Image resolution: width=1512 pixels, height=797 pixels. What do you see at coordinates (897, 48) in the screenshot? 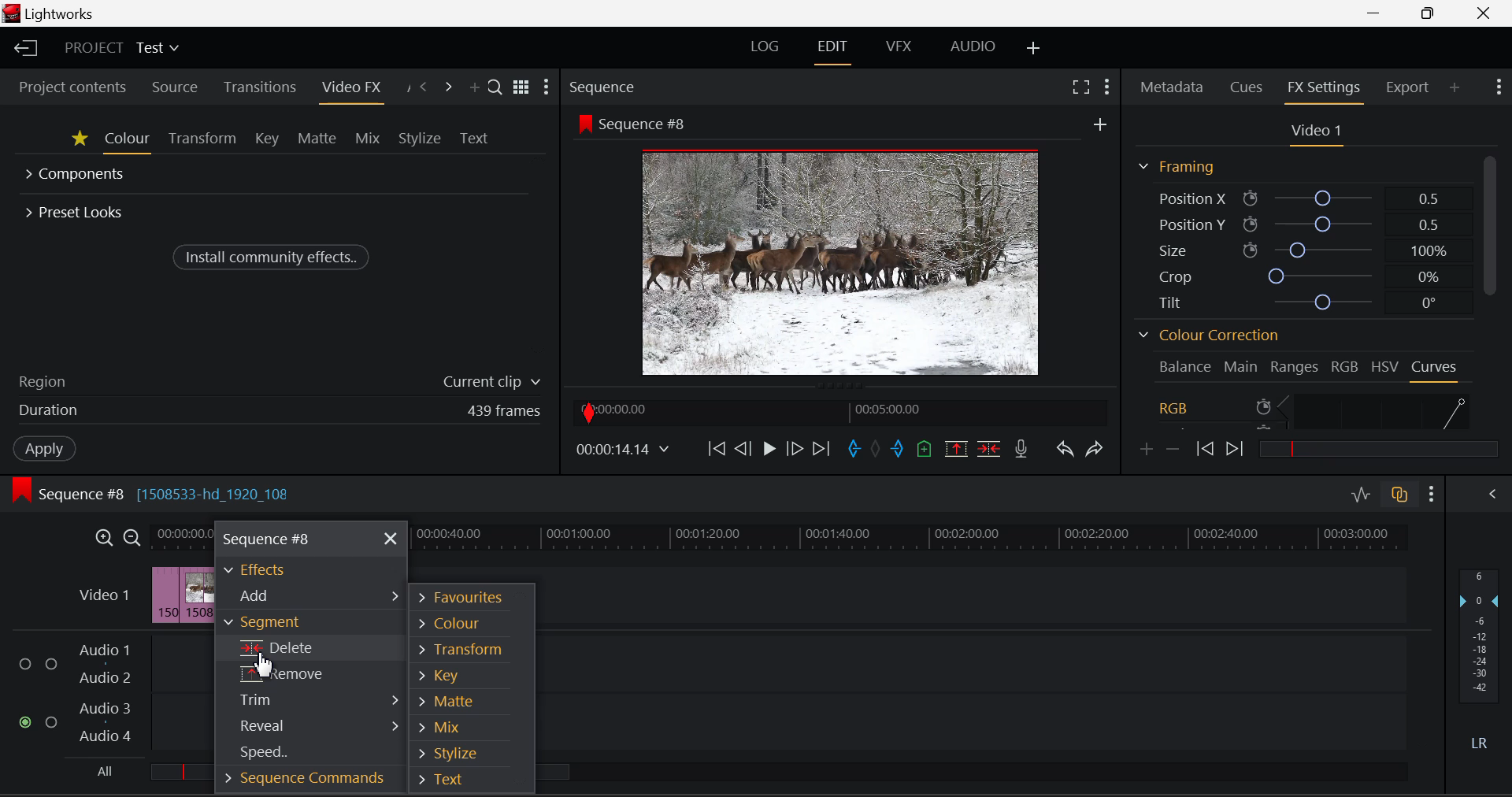
I see `VFX Layout` at bounding box center [897, 48].